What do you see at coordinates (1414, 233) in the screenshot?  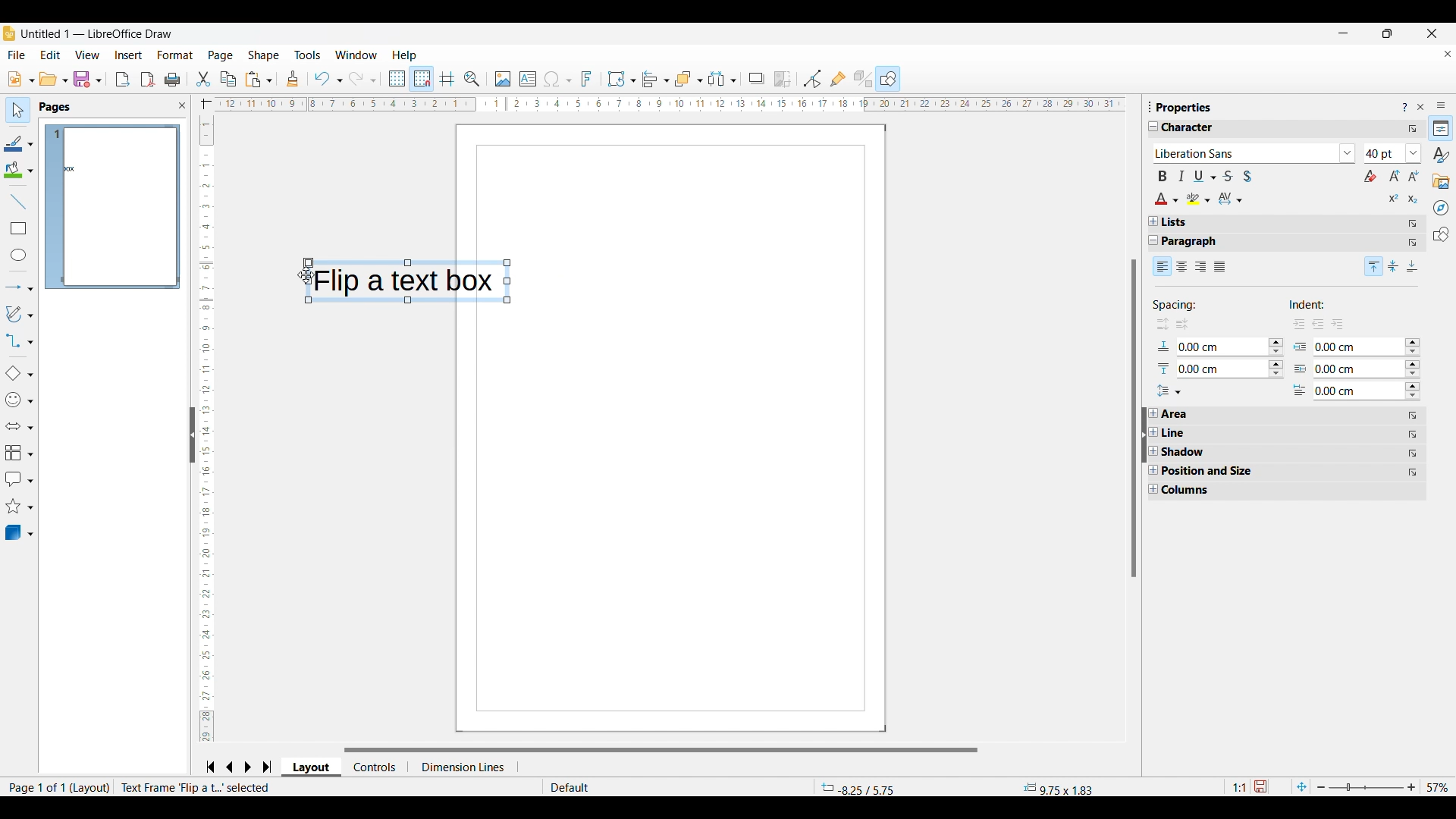 I see `More options for respective sub-title` at bounding box center [1414, 233].